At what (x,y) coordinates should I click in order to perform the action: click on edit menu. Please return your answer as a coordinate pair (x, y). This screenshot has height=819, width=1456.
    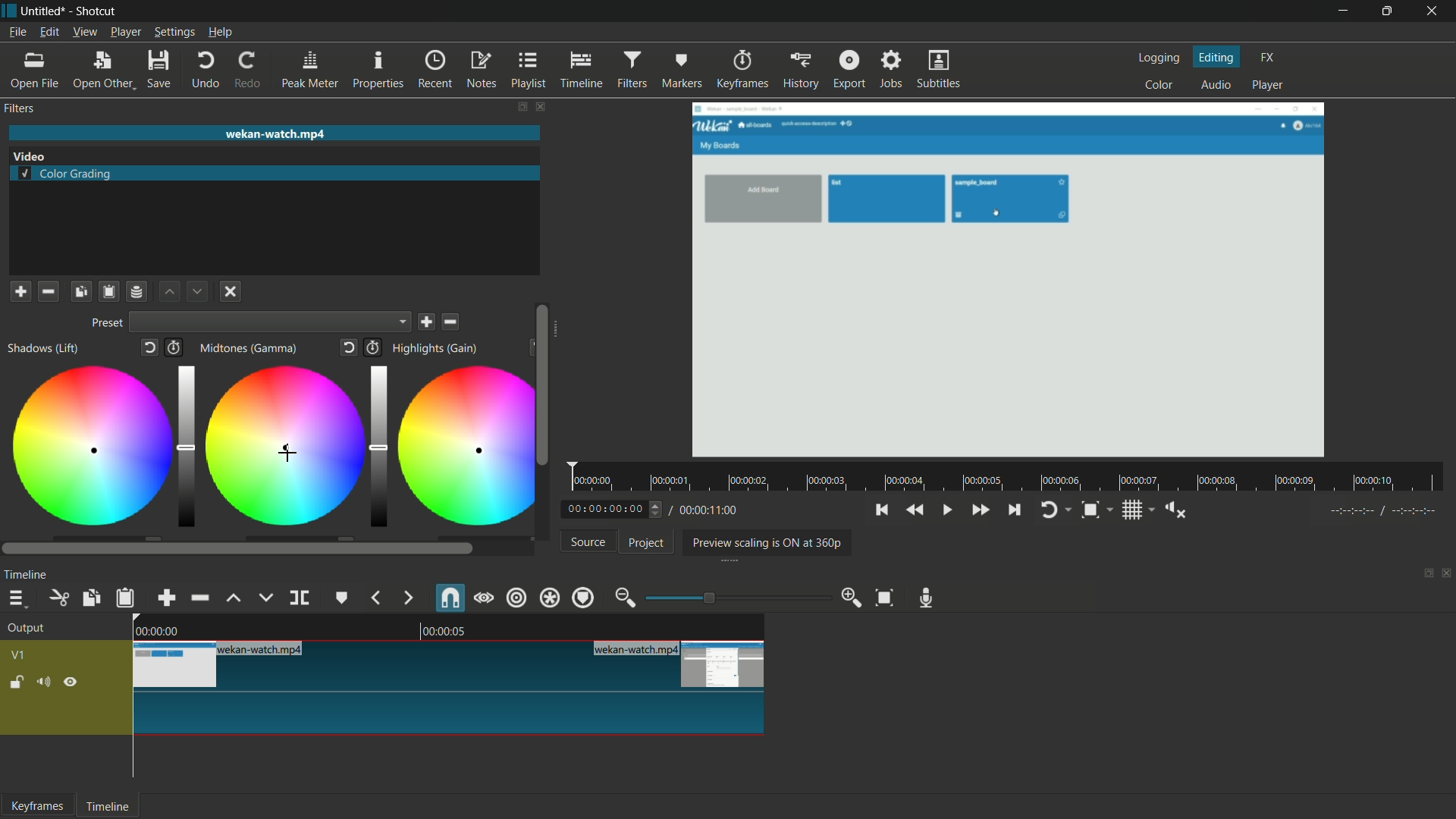
    Looking at the image, I should click on (49, 32).